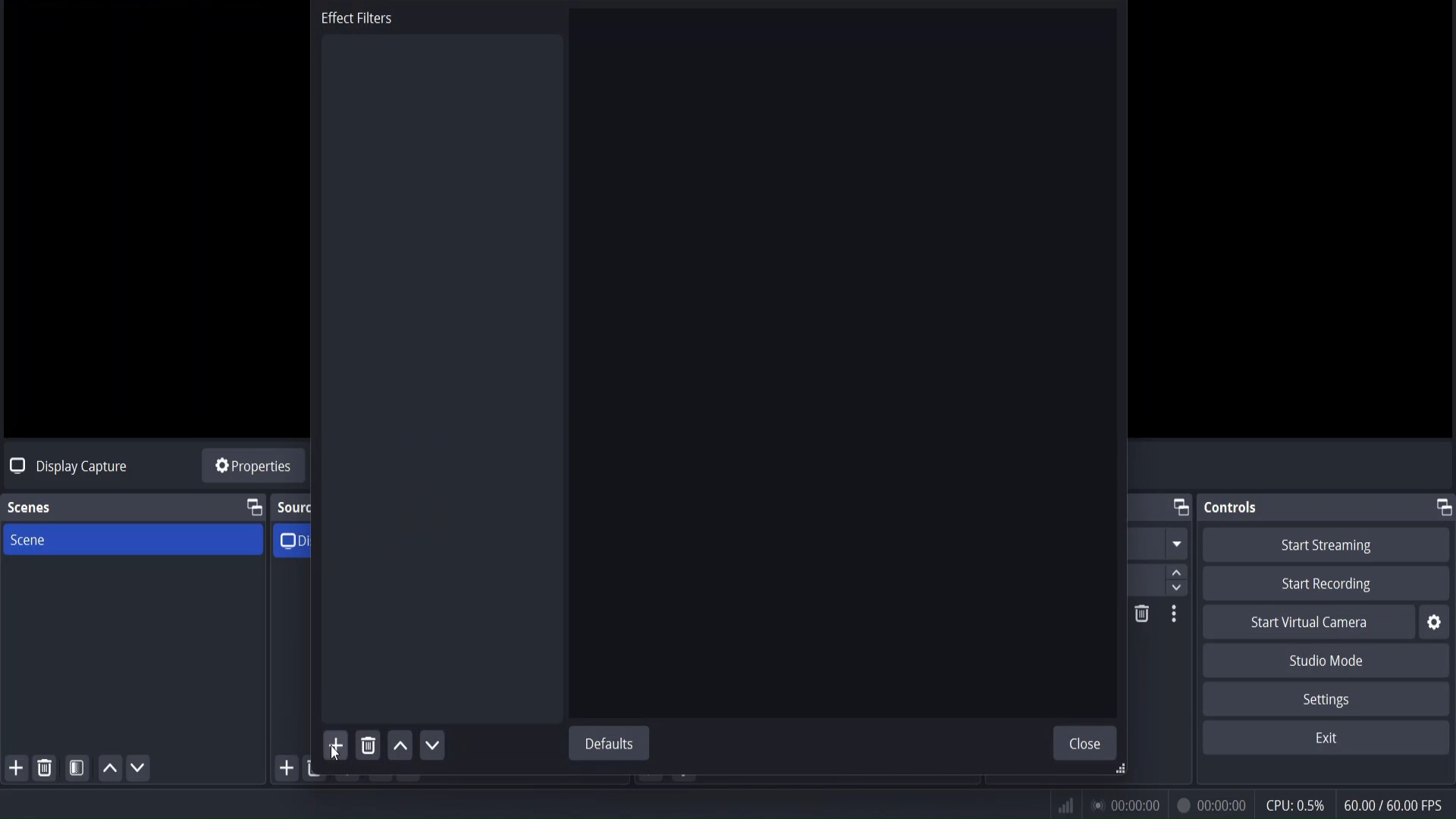 The width and height of the screenshot is (1456, 819). Describe the element at coordinates (435, 744) in the screenshot. I see `move down` at that location.